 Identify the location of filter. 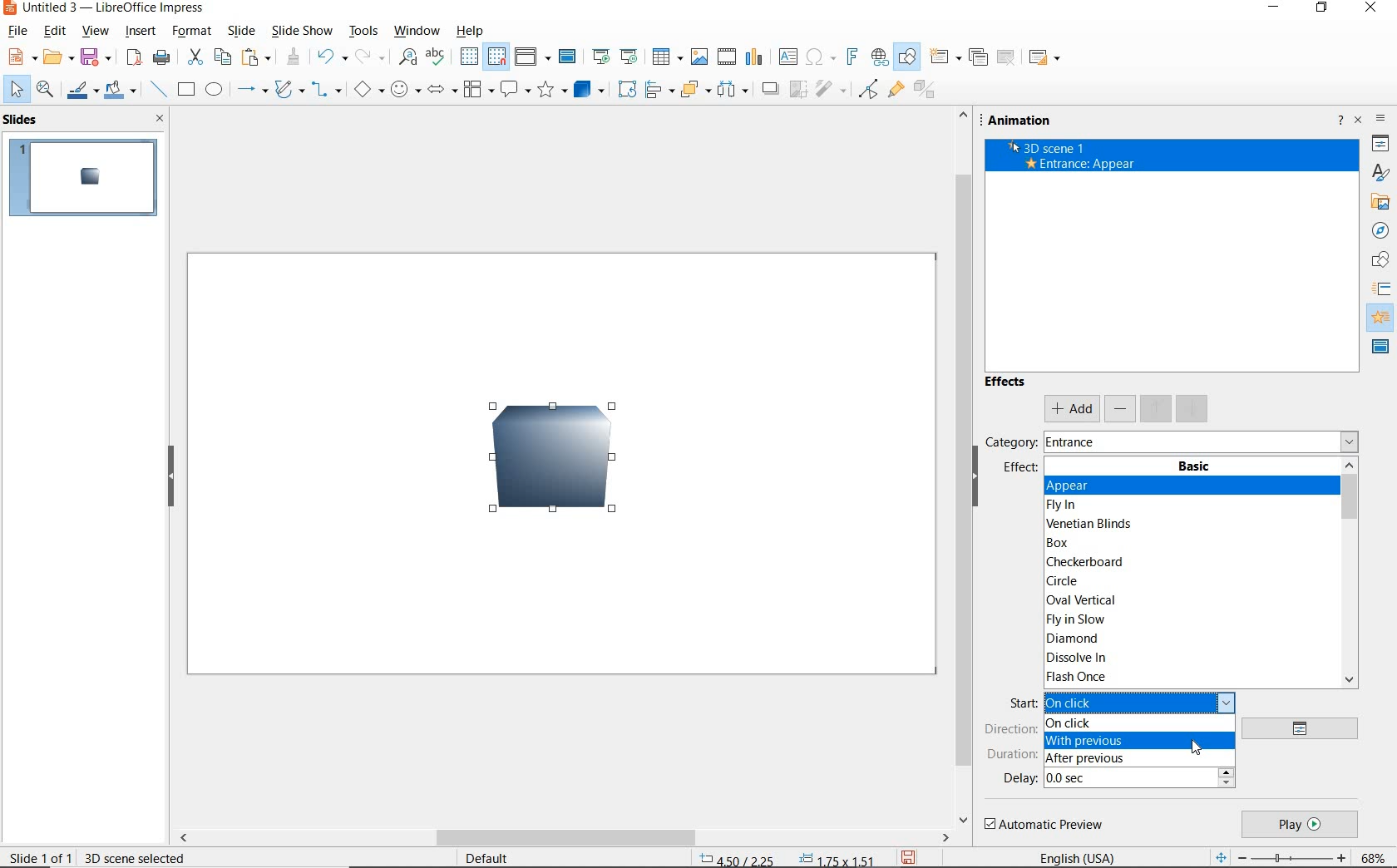
(830, 87).